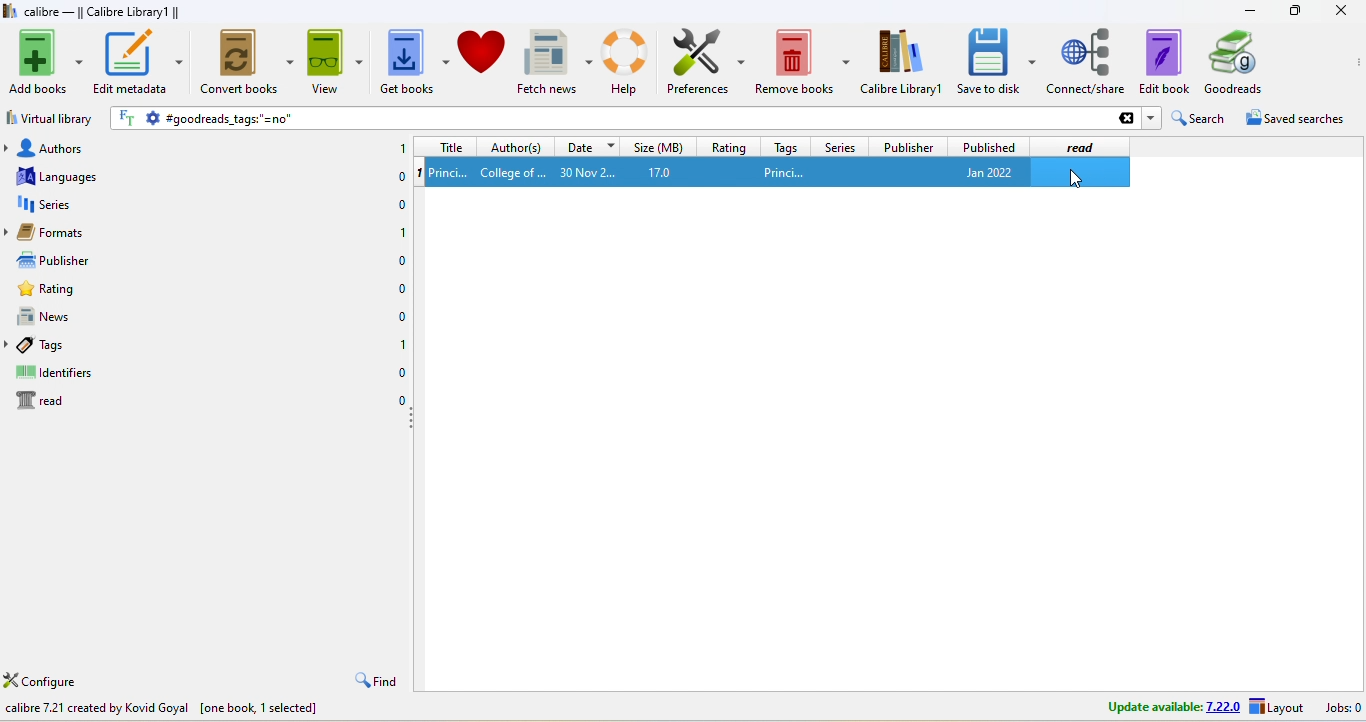 The height and width of the screenshot is (722, 1366). I want to click on help, so click(627, 63).